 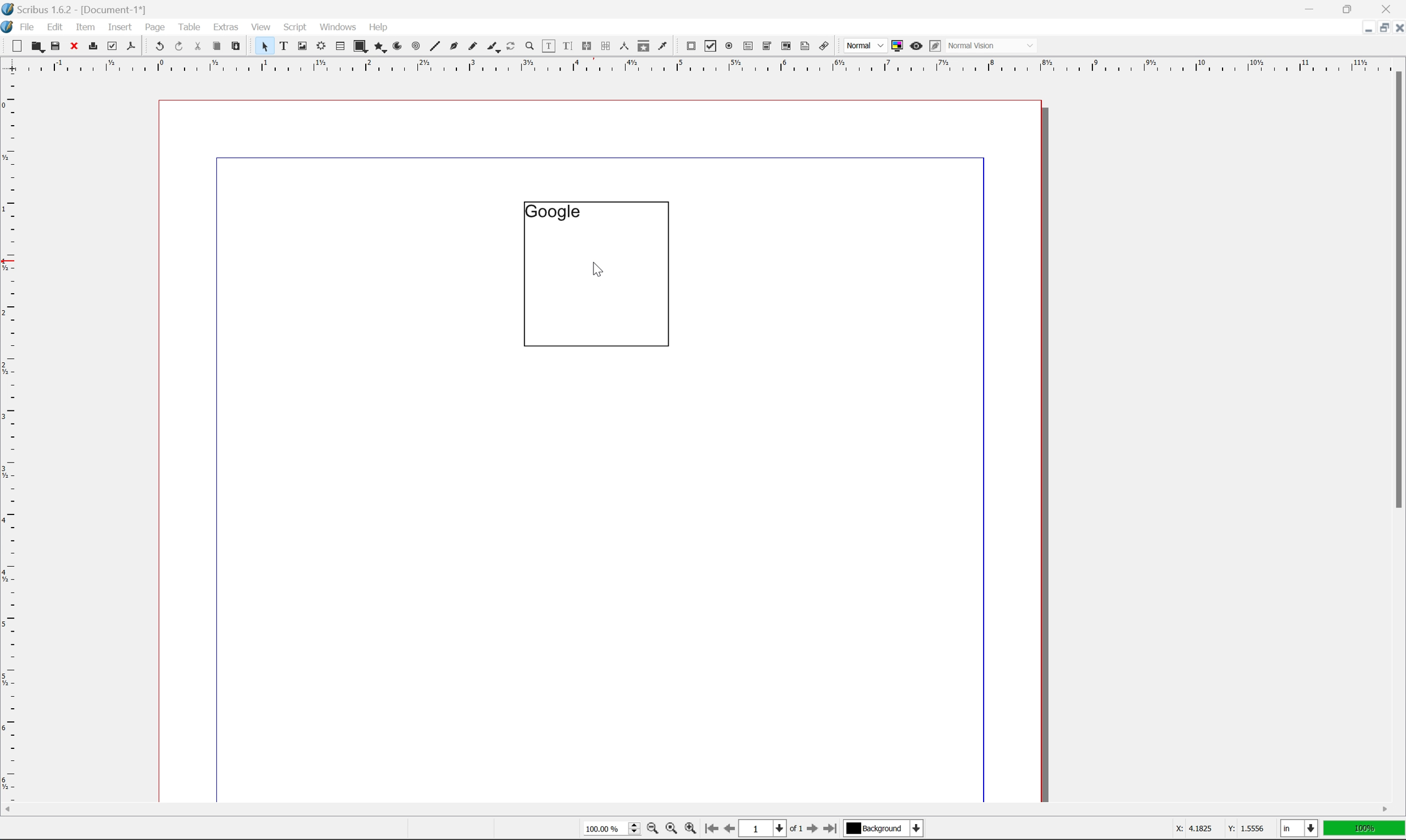 I want to click on Scribus 1.6.2 [Document - 1*], so click(x=87, y=10).